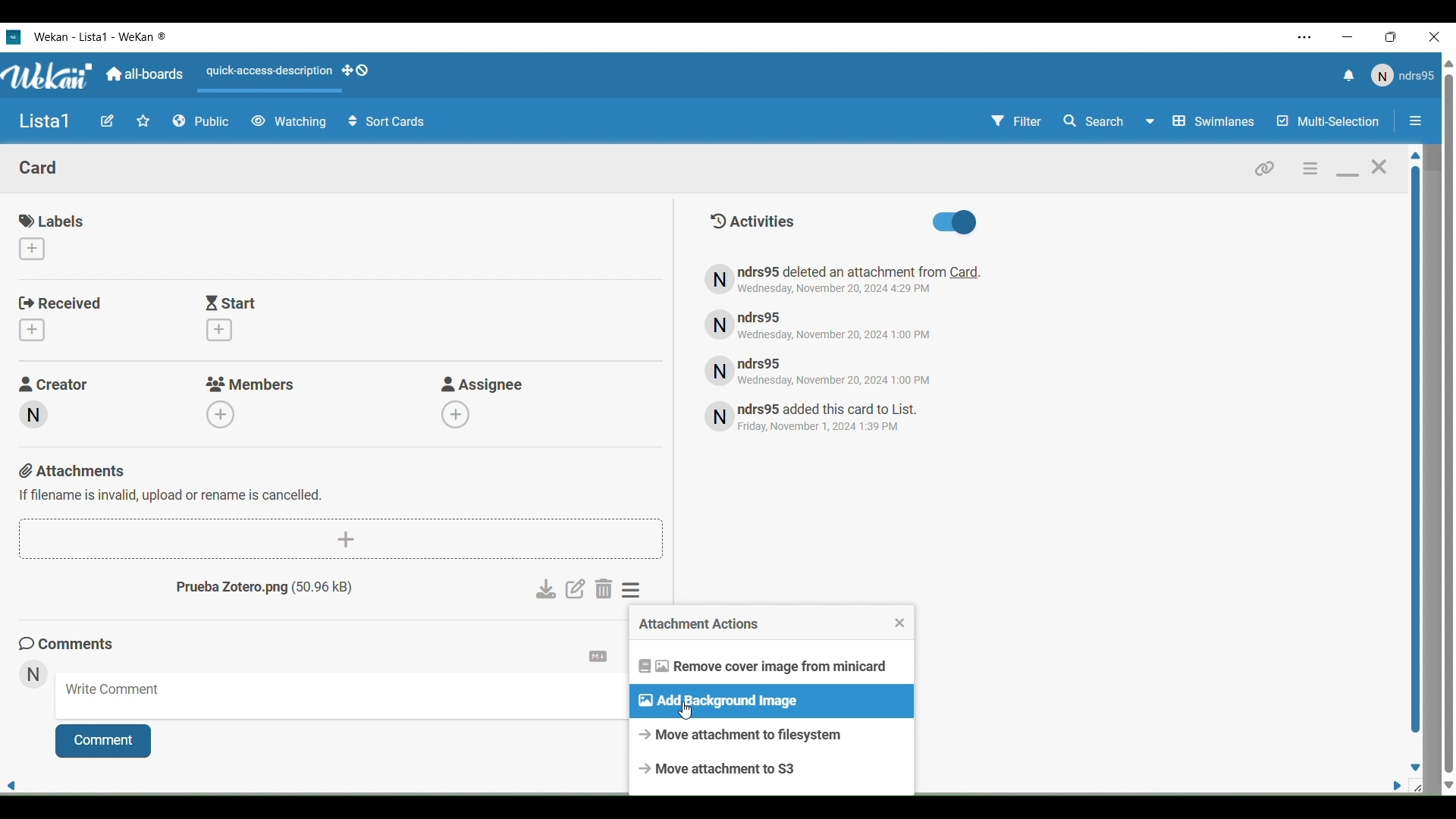  What do you see at coordinates (61, 303) in the screenshot?
I see `Received` at bounding box center [61, 303].